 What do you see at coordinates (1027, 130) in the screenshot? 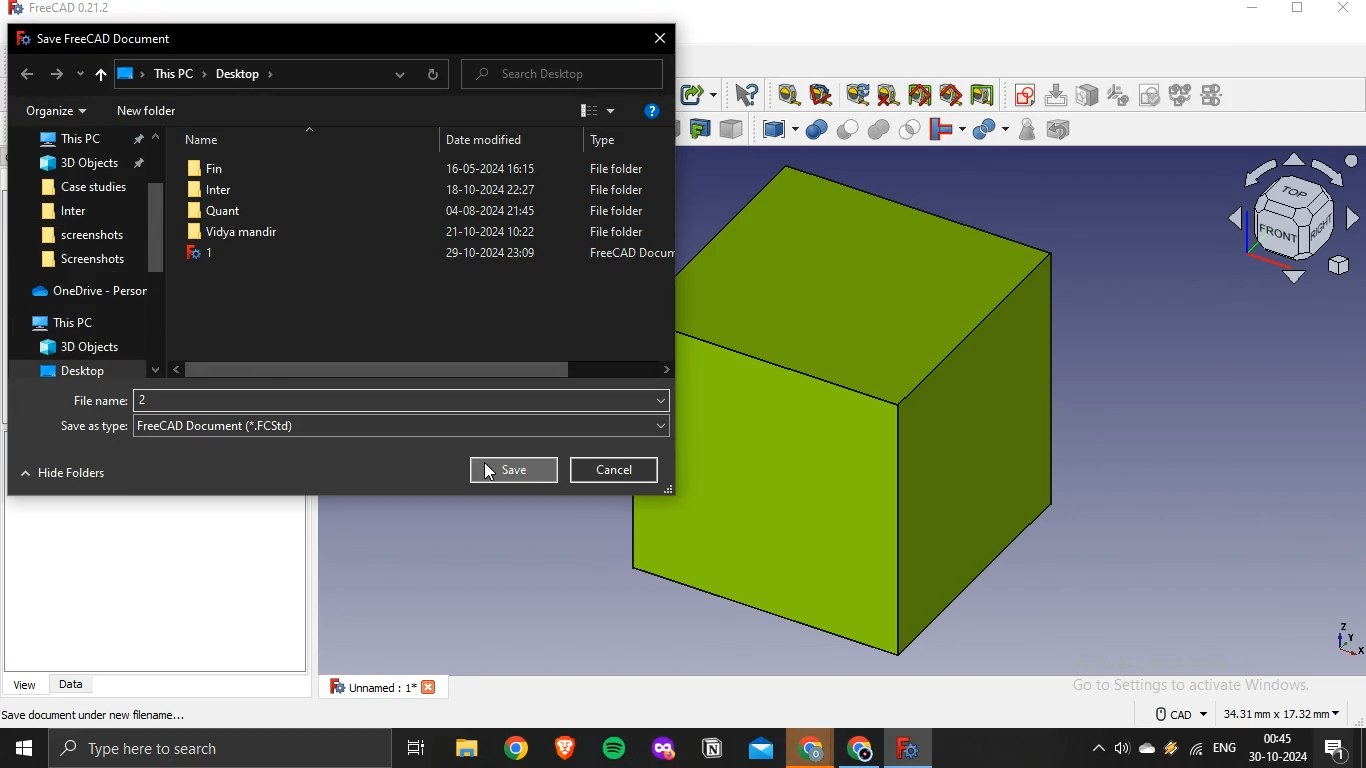
I see `check geometry` at bounding box center [1027, 130].